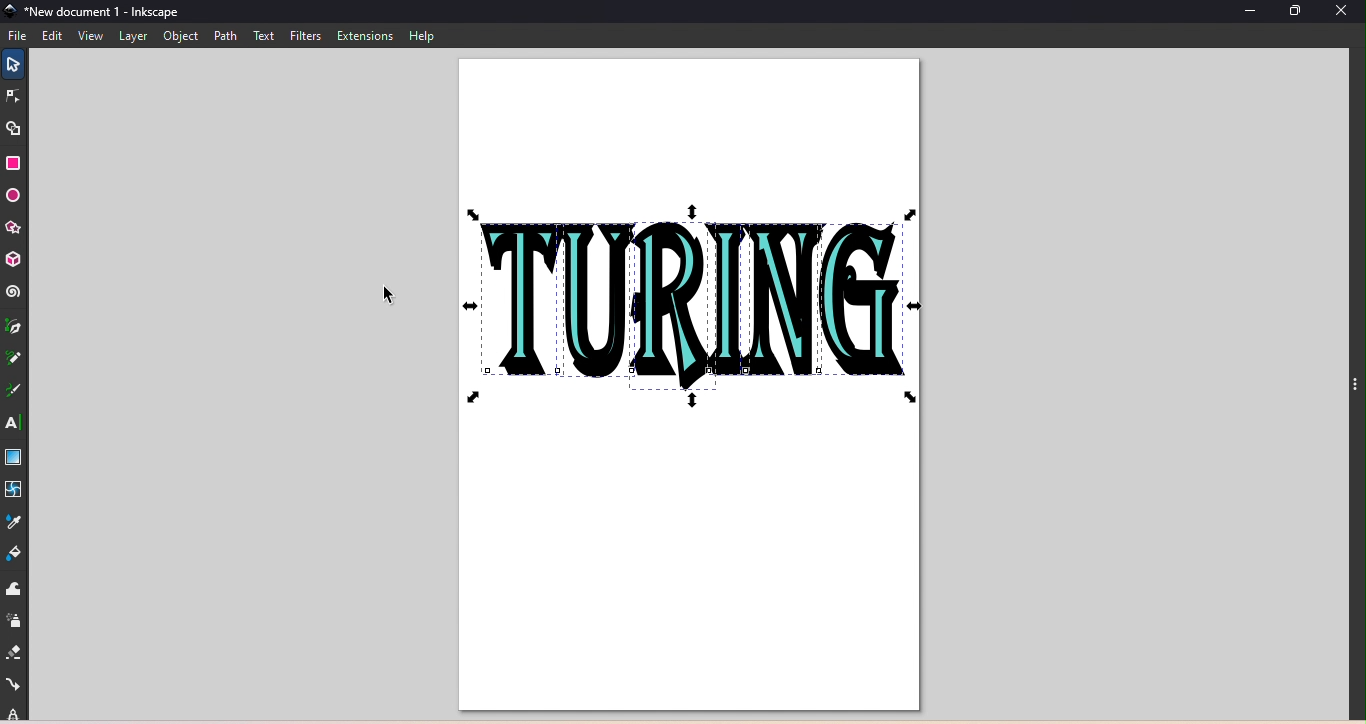 Image resolution: width=1366 pixels, height=724 pixels. What do you see at coordinates (1305, 12) in the screenshot?
I see `Maximize` at bounding box center [1305, 12].